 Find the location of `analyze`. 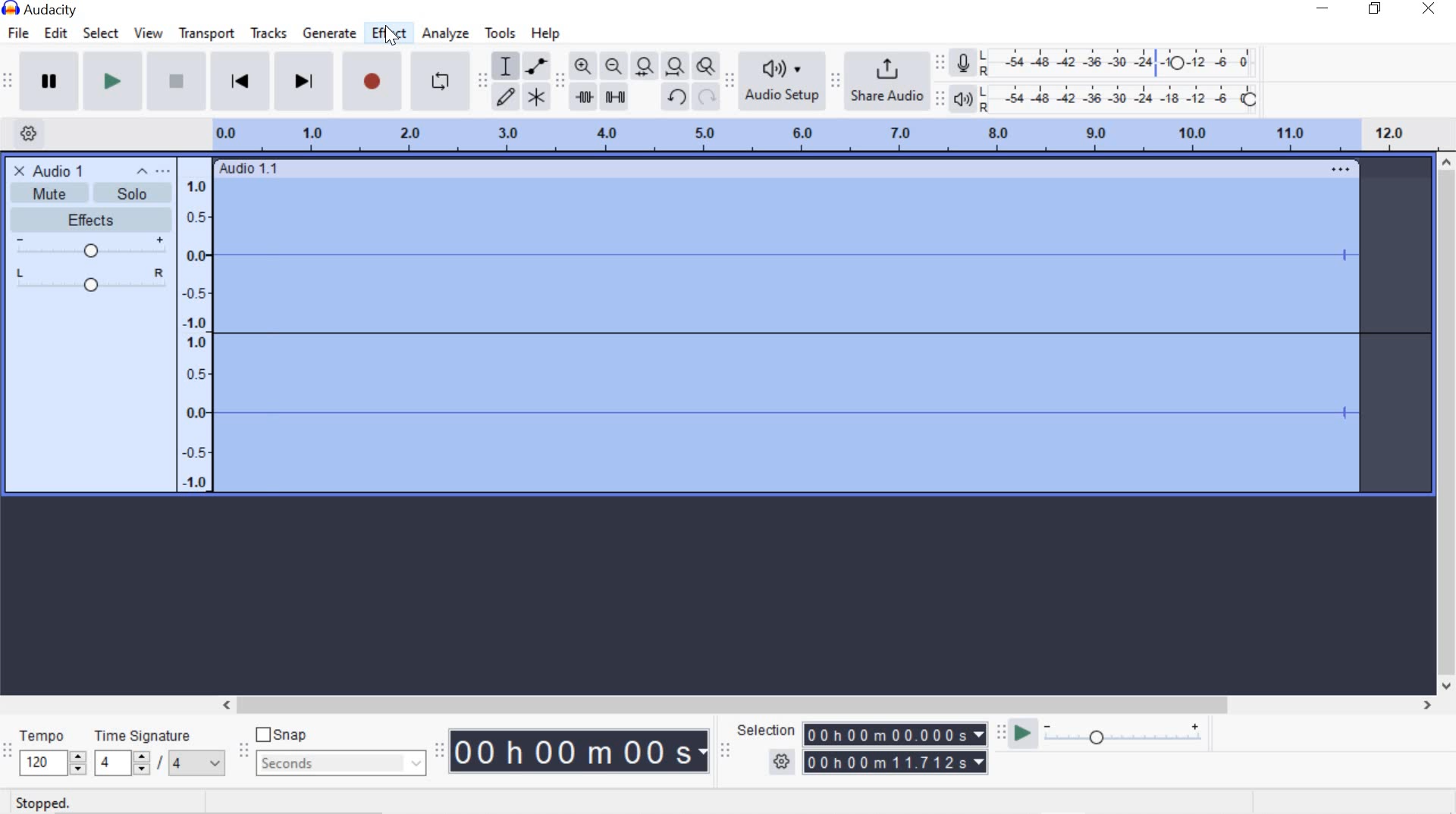

analyze is located at coordinates (446, 33).